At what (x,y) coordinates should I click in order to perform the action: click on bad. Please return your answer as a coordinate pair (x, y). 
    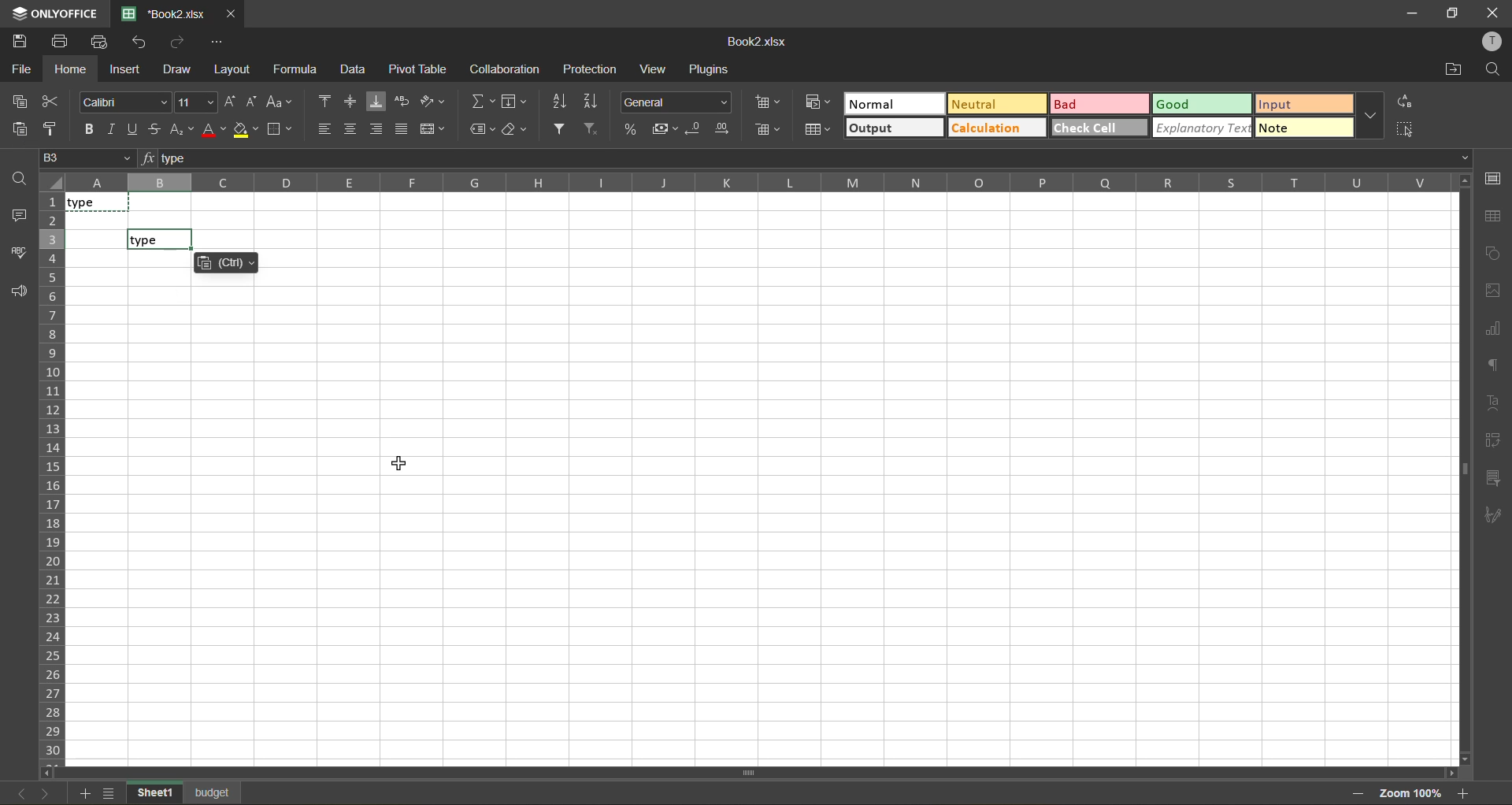
    Looking at the image, I should click on (1099, 103).